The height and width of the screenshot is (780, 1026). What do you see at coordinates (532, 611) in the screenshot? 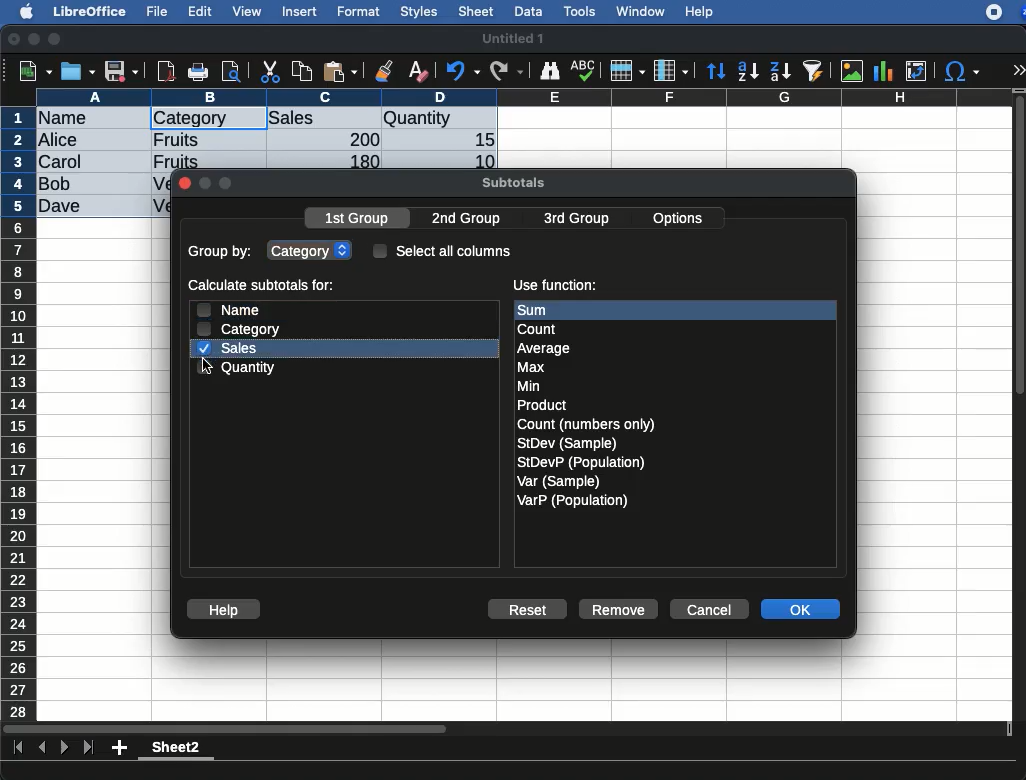
I see `reset` at bounding box center [532, 611].